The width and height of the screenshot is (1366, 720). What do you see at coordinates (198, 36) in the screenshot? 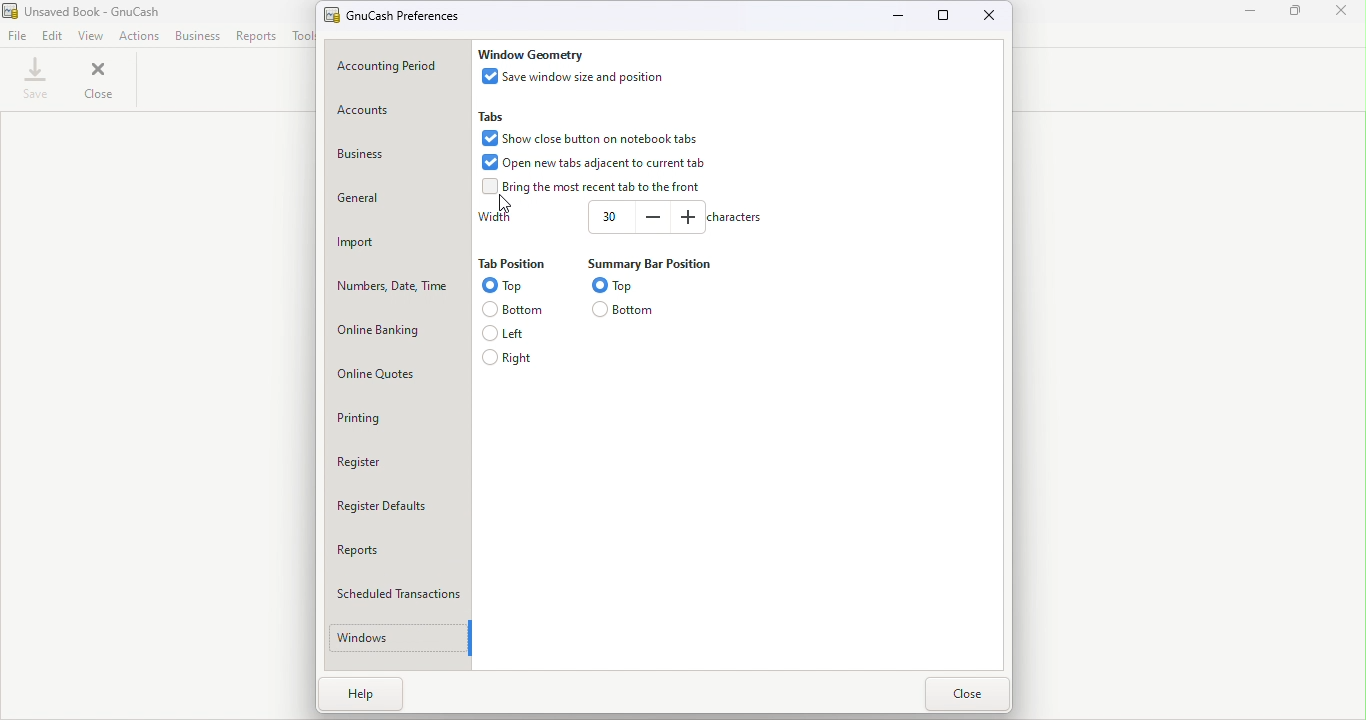
I see `Business` at bounding box center [198, 36].